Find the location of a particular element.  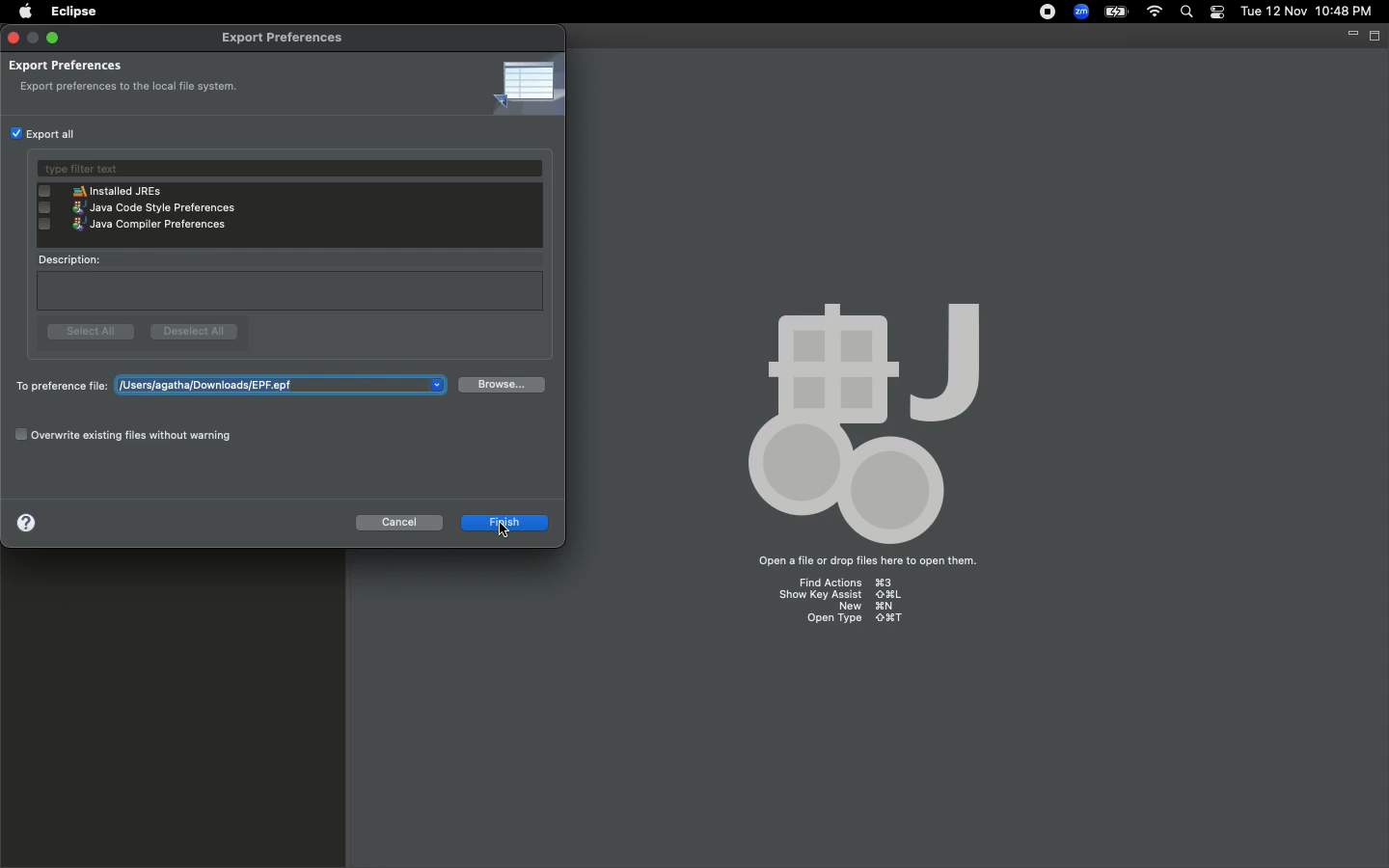

show key assist  is located at coordinates (843, 595).